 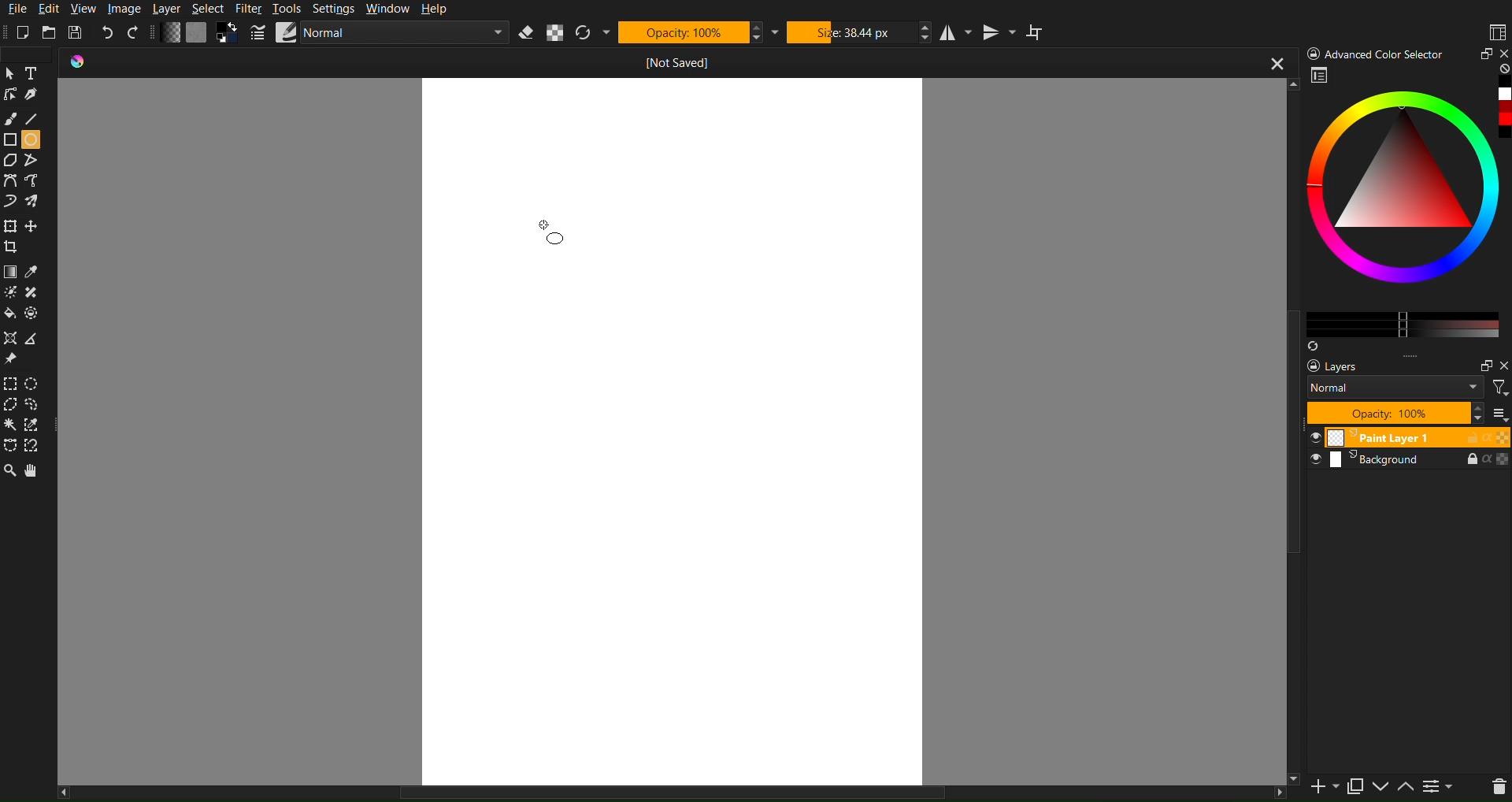 What do you see at coordinates (1479, 53) in the screenshot?
I see `Minimize` at bounding box center [1479, 53].